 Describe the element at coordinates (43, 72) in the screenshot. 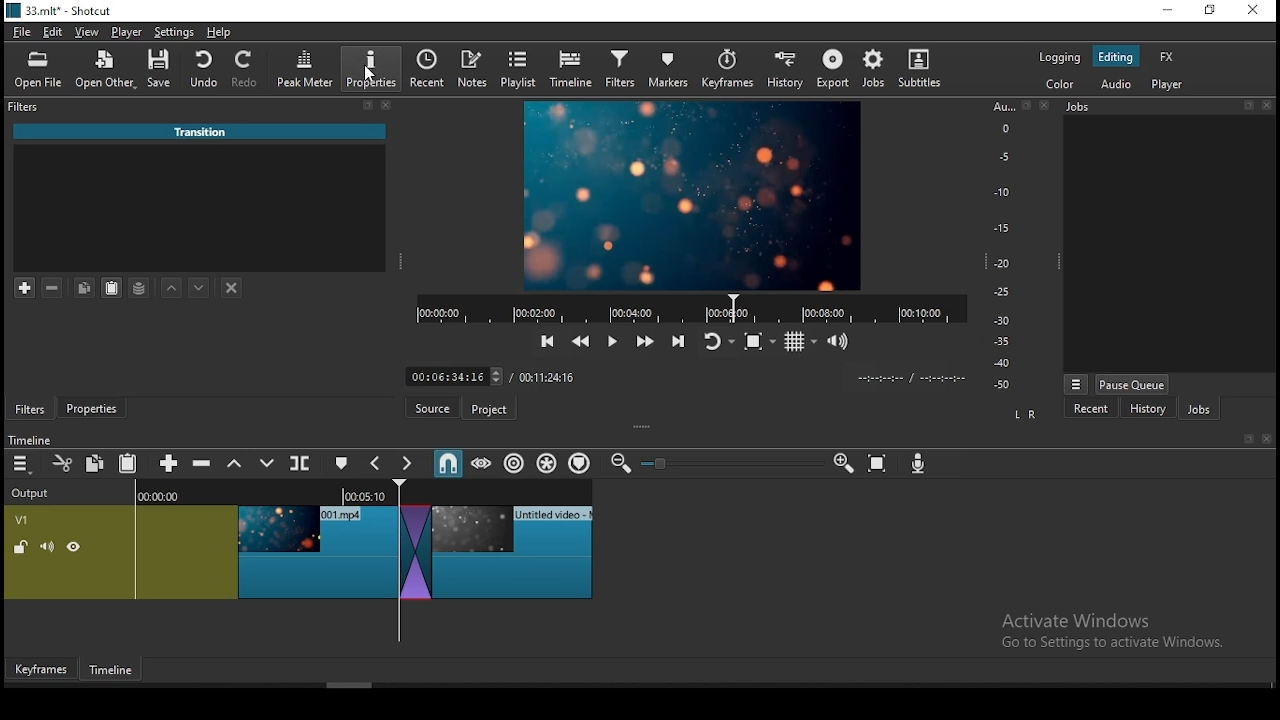

I see `open file` at that location.